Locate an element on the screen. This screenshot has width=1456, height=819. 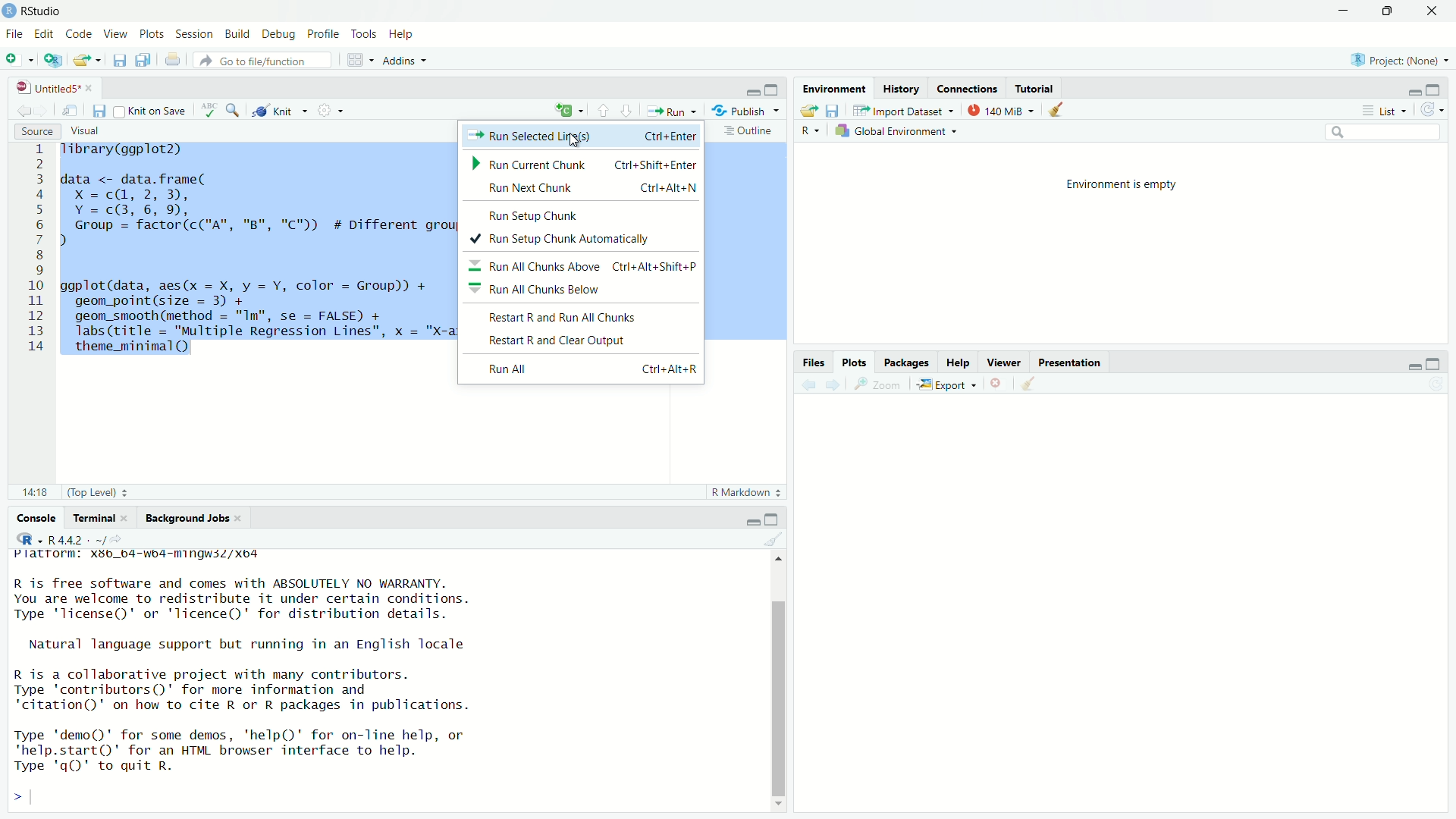
save is located at coordinates (116, 59).